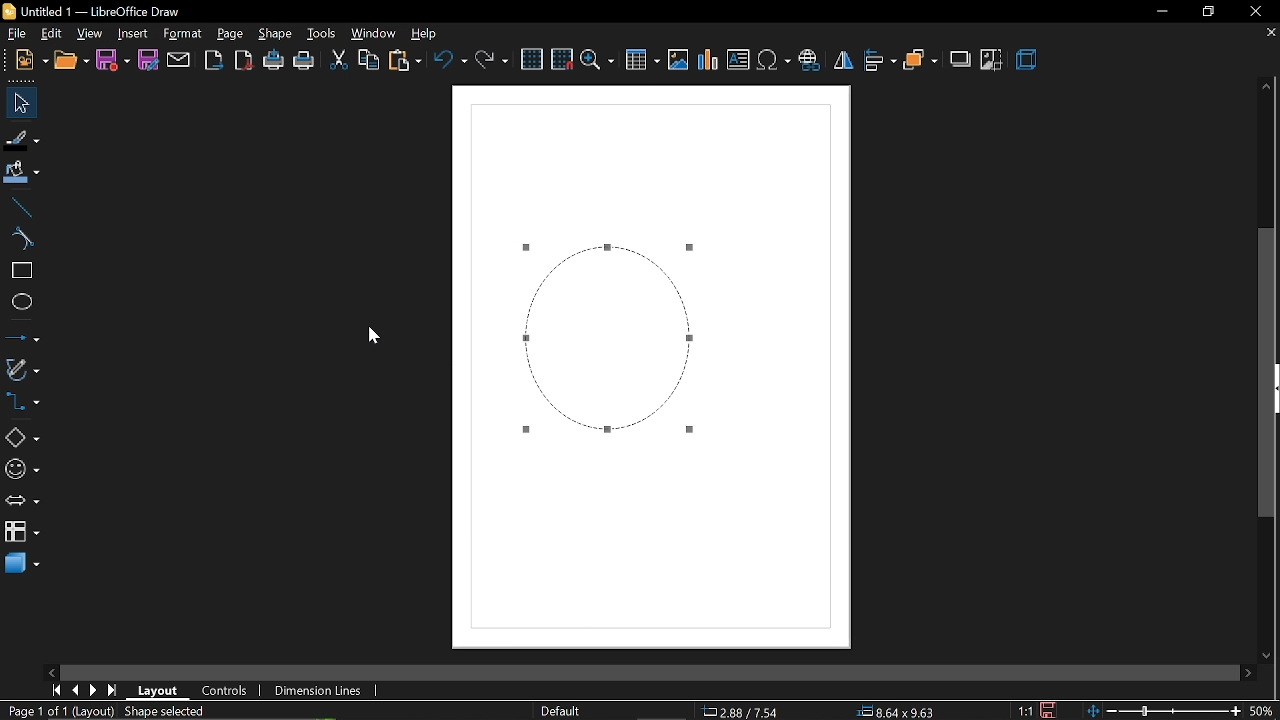 This screenshot has width=1280, height=720. What do you see at coordinates (20, 530) in the screenshot?
I see `flowchart` at bounding box center [20, 530].